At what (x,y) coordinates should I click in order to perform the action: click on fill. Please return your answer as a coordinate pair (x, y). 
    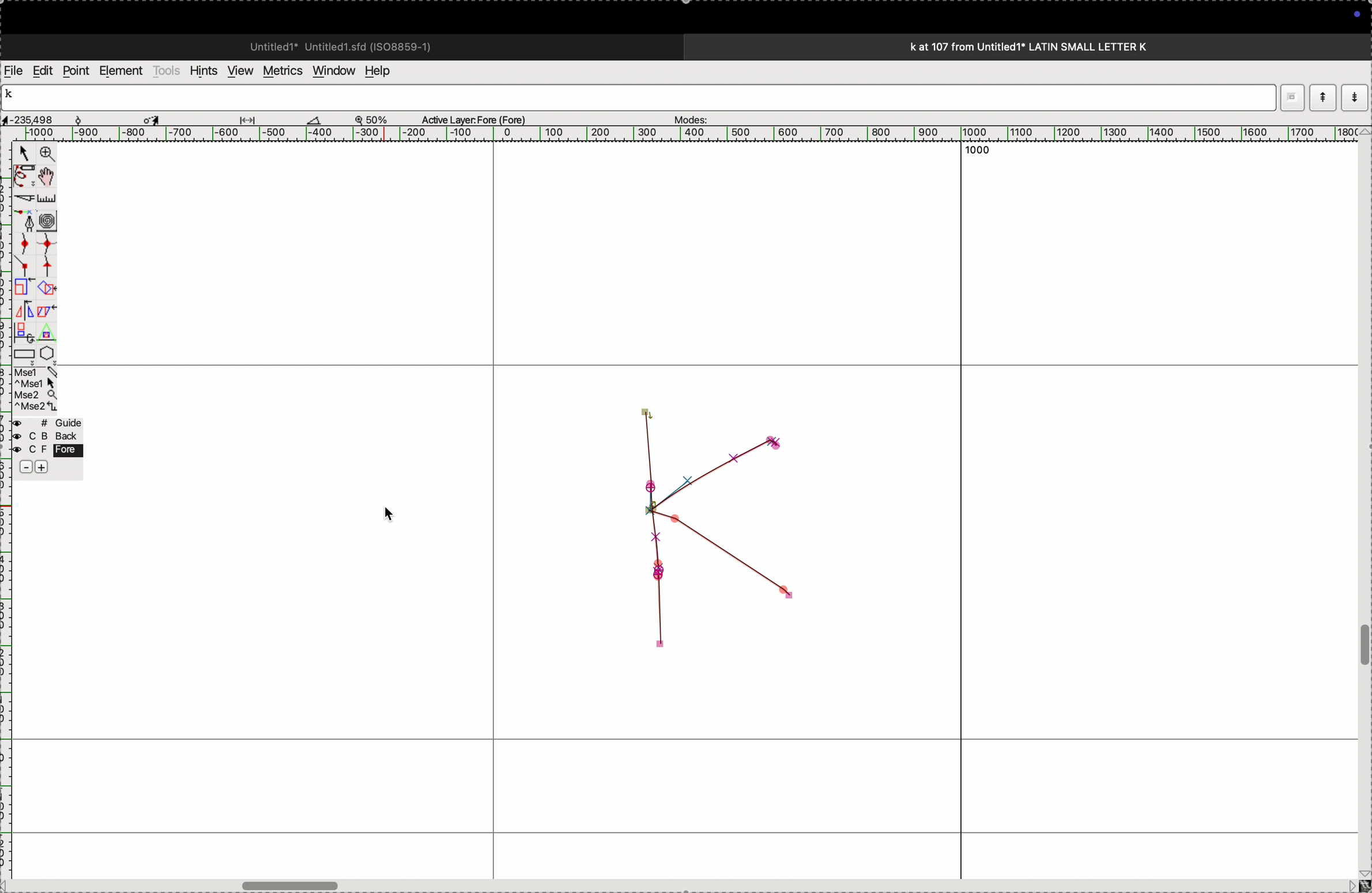
    Looking at the image, I should click on (48, 287).